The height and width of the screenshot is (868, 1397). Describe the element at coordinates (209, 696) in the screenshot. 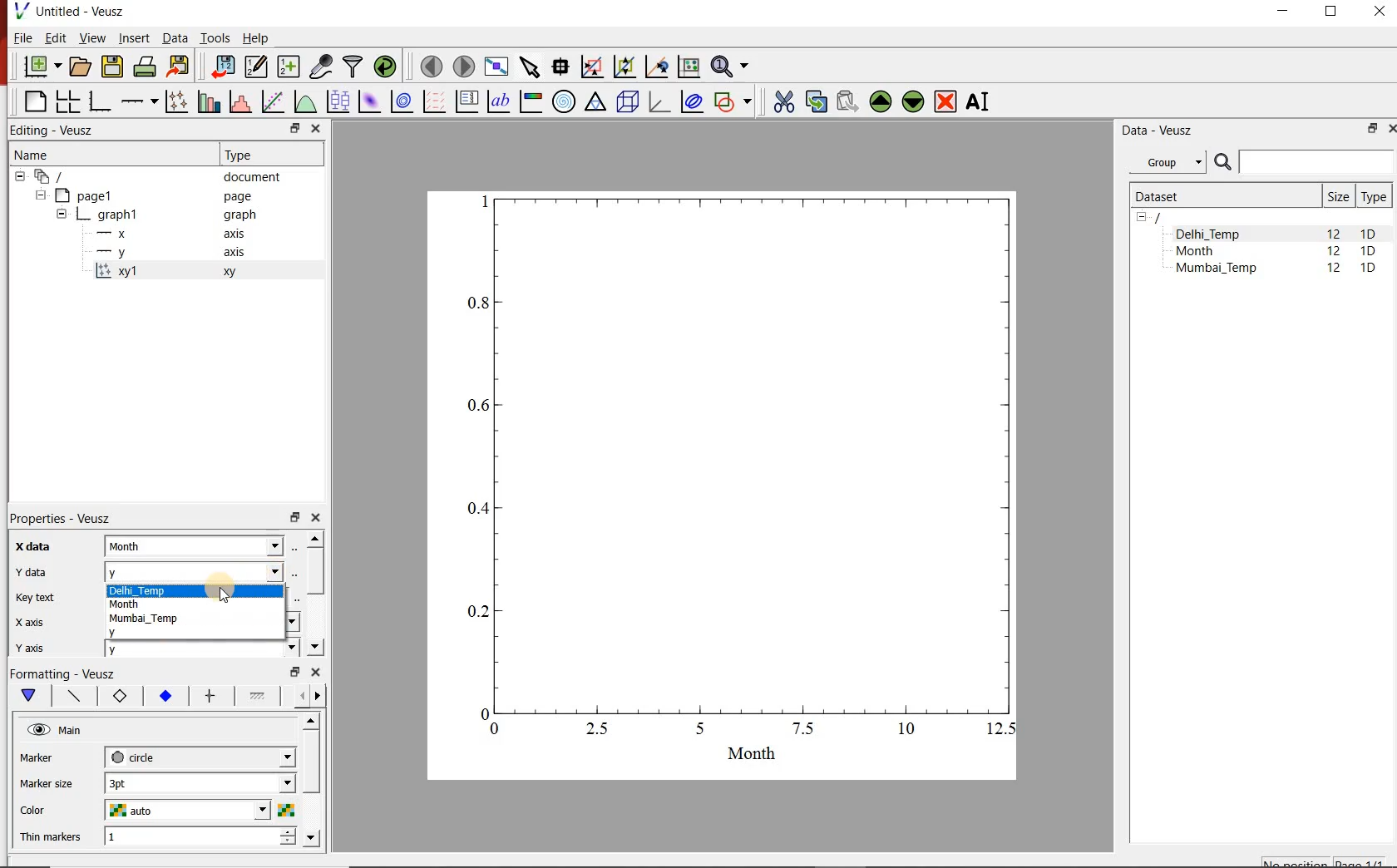

I see `major ticks` at that location.